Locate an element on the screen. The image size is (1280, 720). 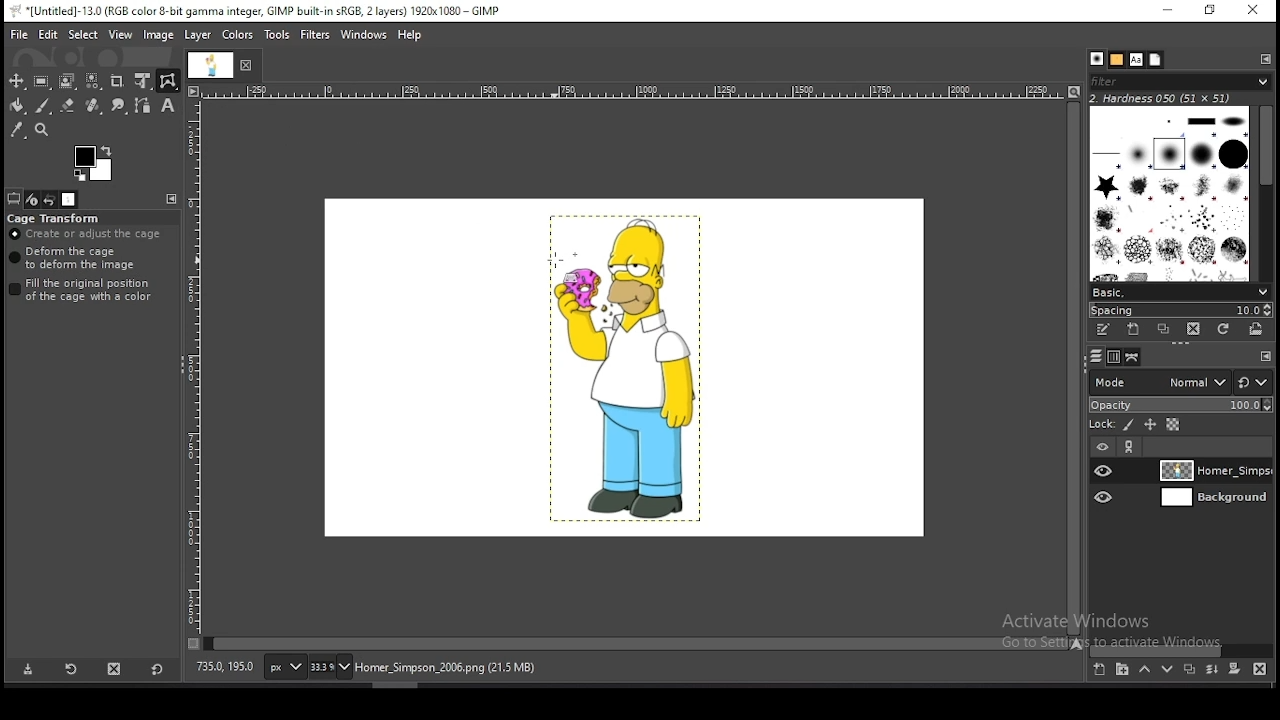
mouse pointer is located at coordinates (551, 260).